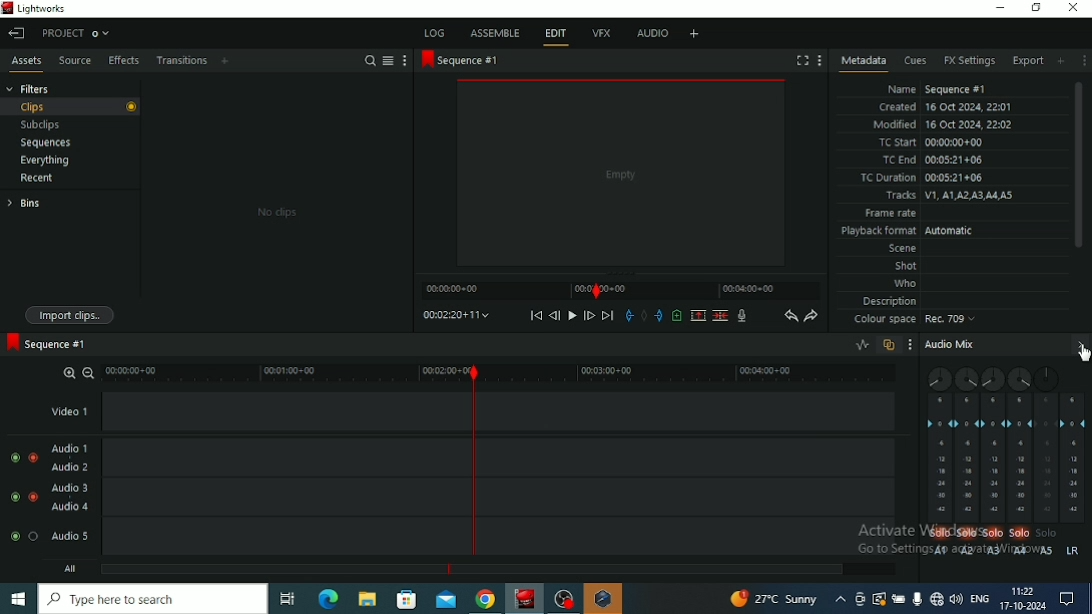  Describe the element at coordinates (26, 63) in the screenshot. I see `Assests` at that location.